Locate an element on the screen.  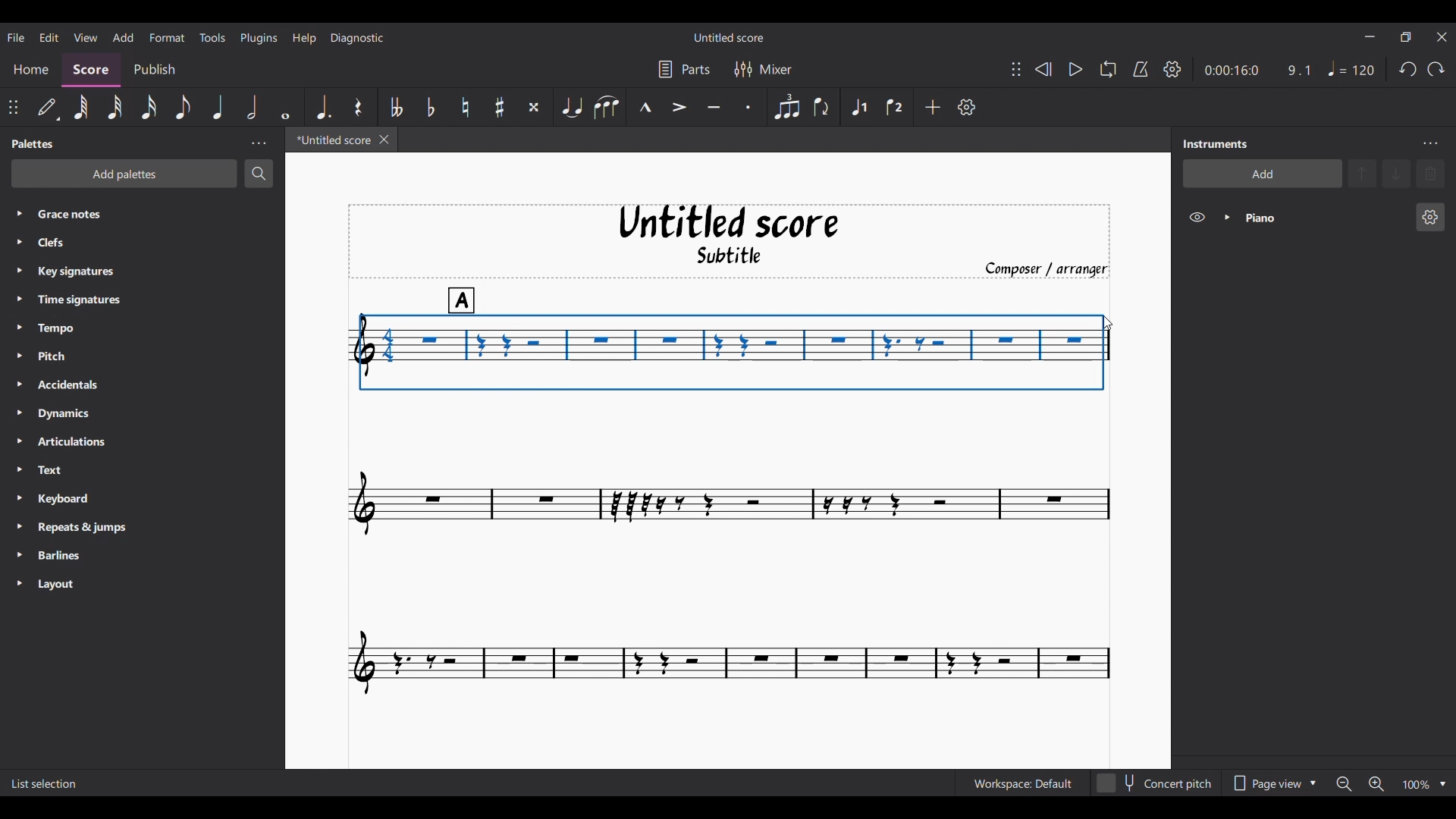
Rest is located at coordinates (358, 107).